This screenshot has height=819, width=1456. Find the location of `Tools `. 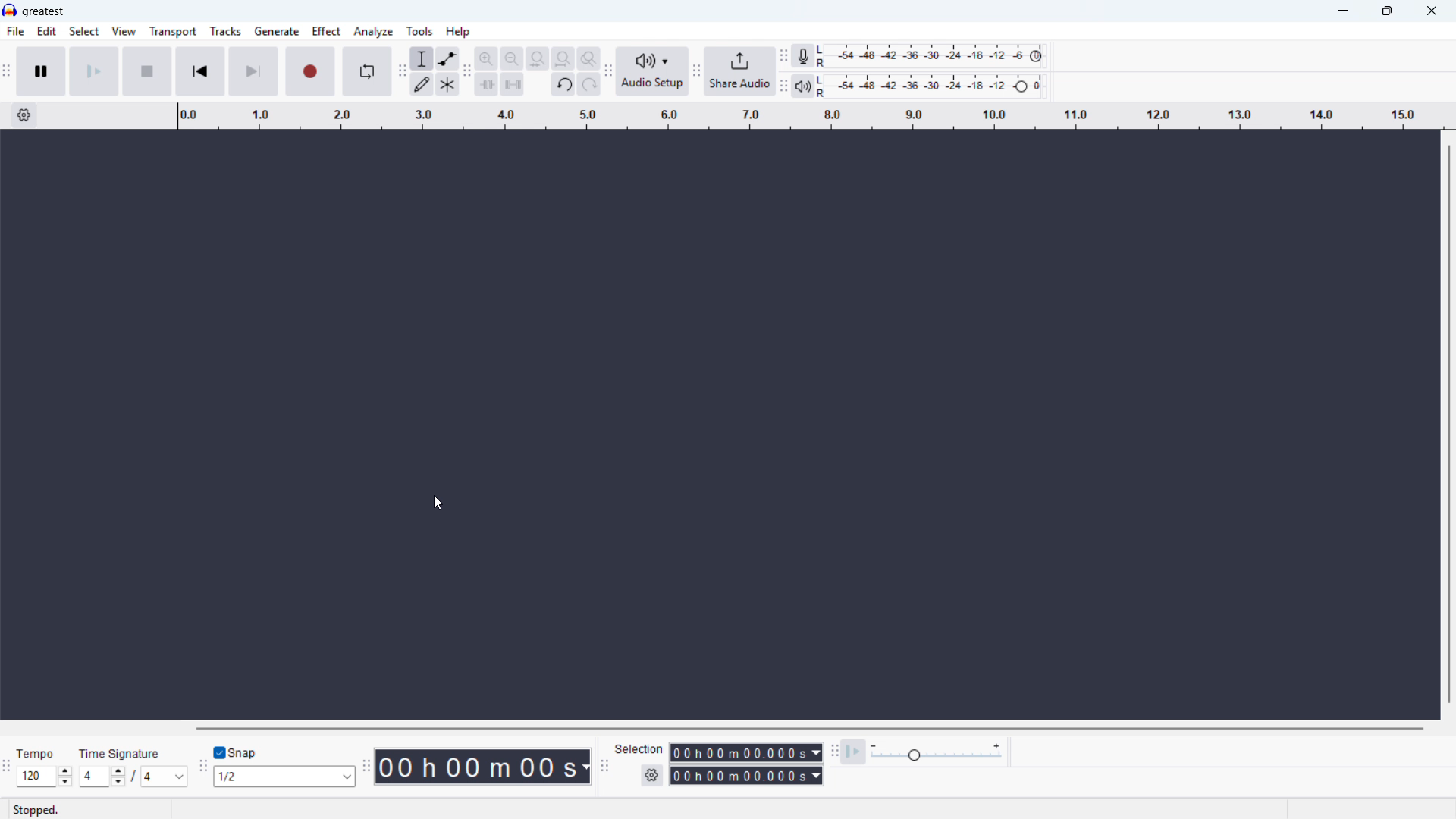

Tools  is located at coordinates (420, 31).